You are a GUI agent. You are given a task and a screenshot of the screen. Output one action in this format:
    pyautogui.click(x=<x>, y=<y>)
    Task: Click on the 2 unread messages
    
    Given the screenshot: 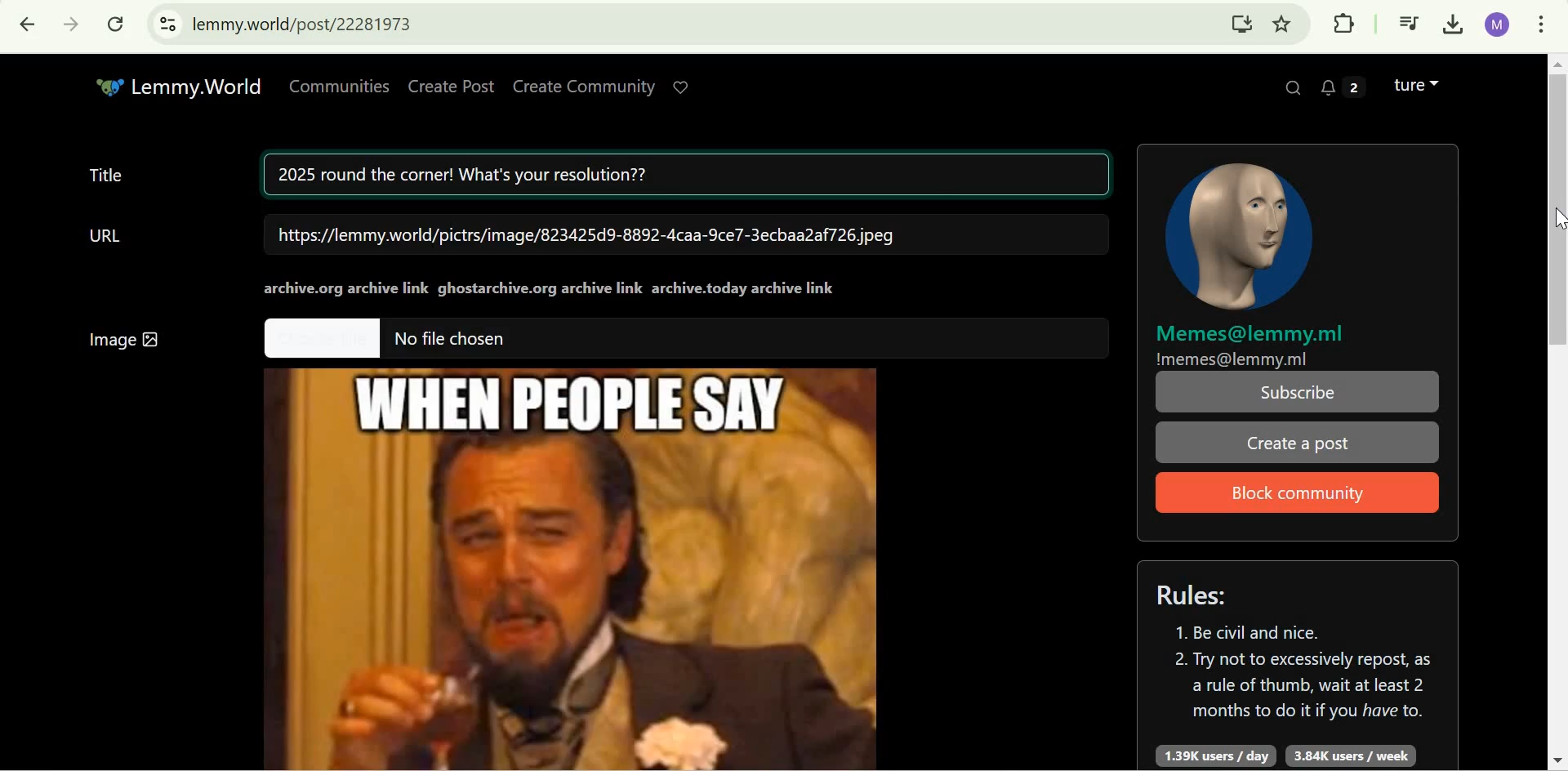 What is the action you would take?
    pyautogui.click(x=1343, y=84)
    